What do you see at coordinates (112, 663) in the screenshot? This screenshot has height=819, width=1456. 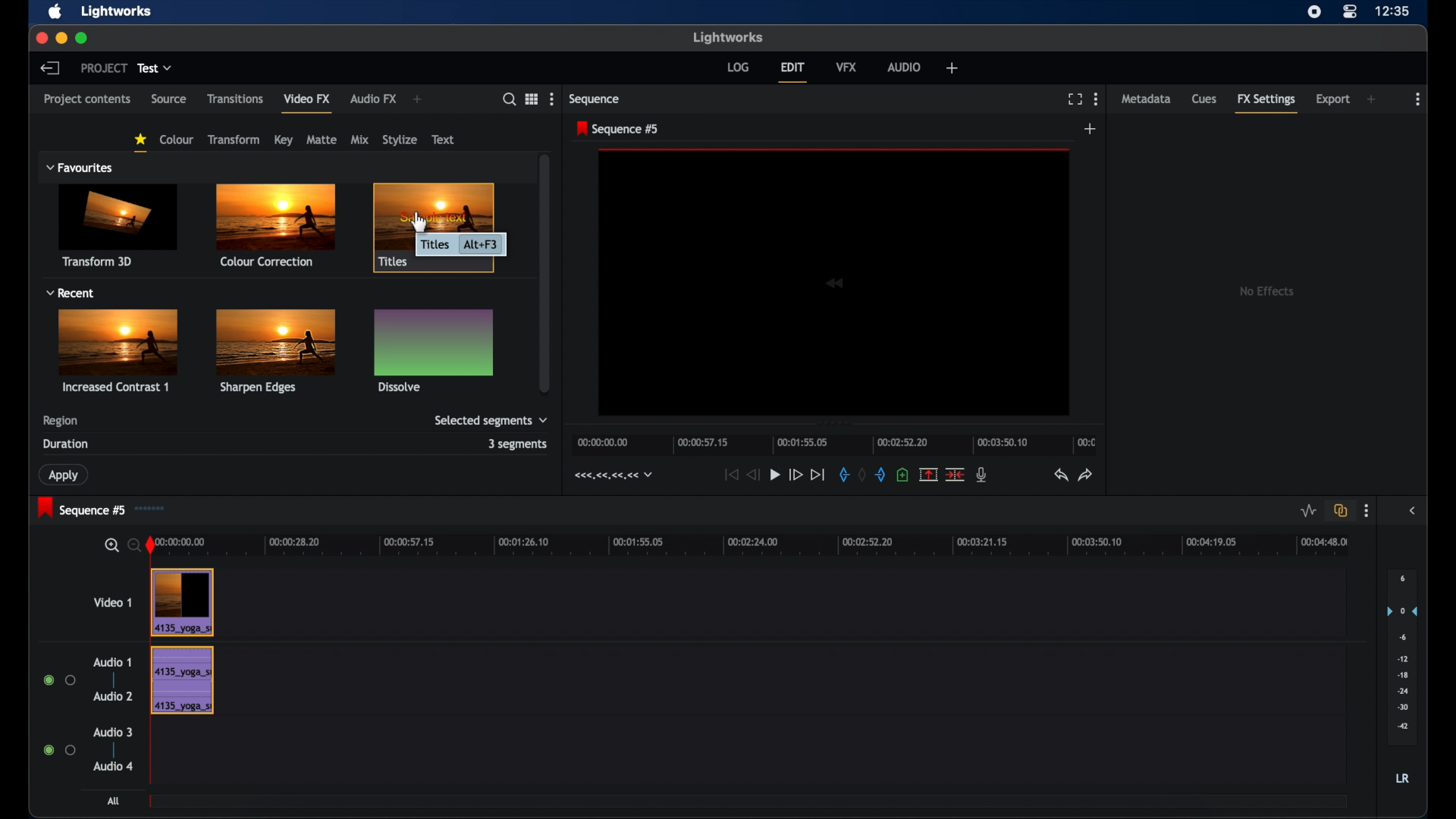 I see `audio 1` at bounding box center [112, 663].